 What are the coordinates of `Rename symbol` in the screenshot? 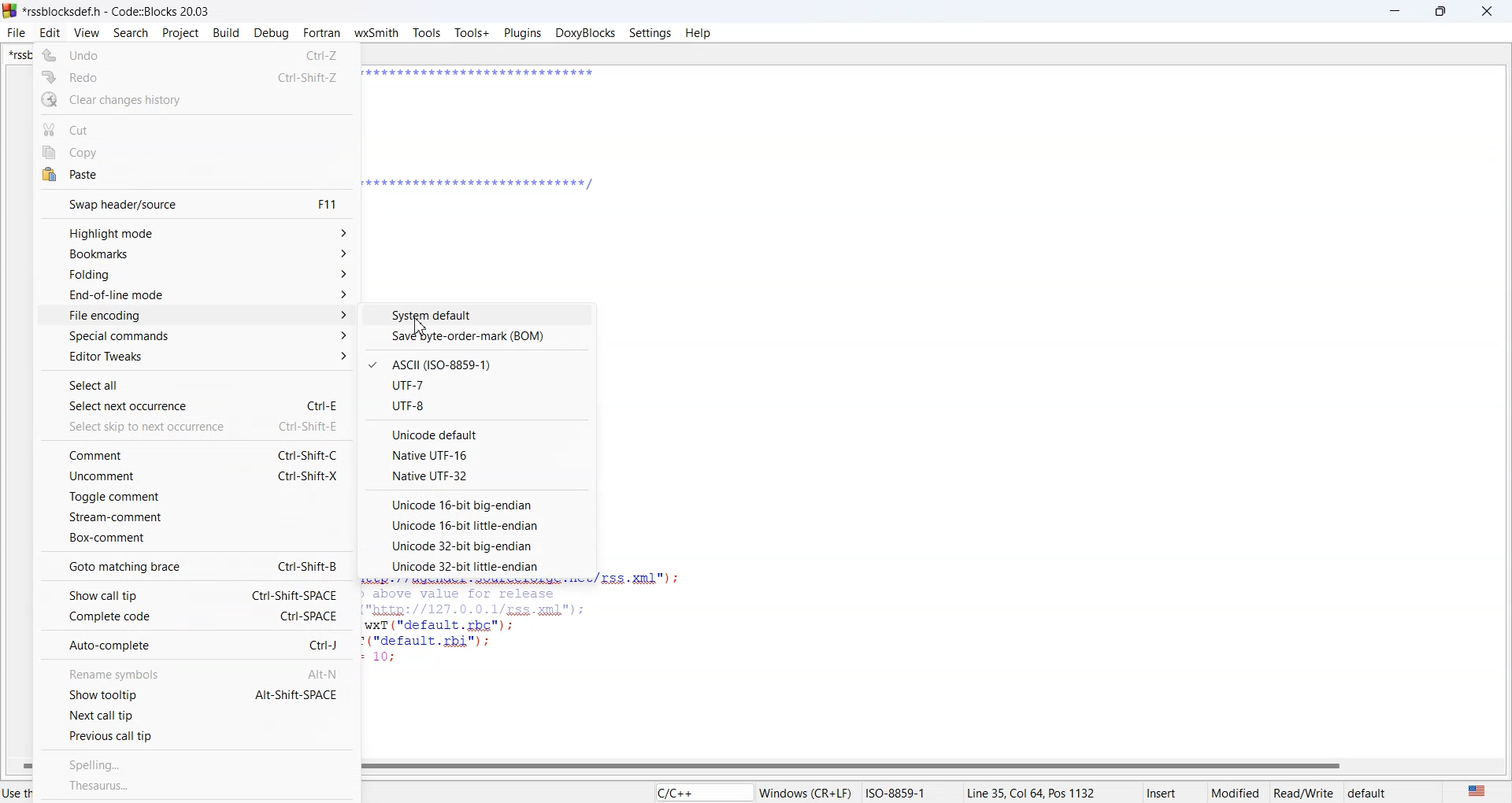 It's located at (196, 673).